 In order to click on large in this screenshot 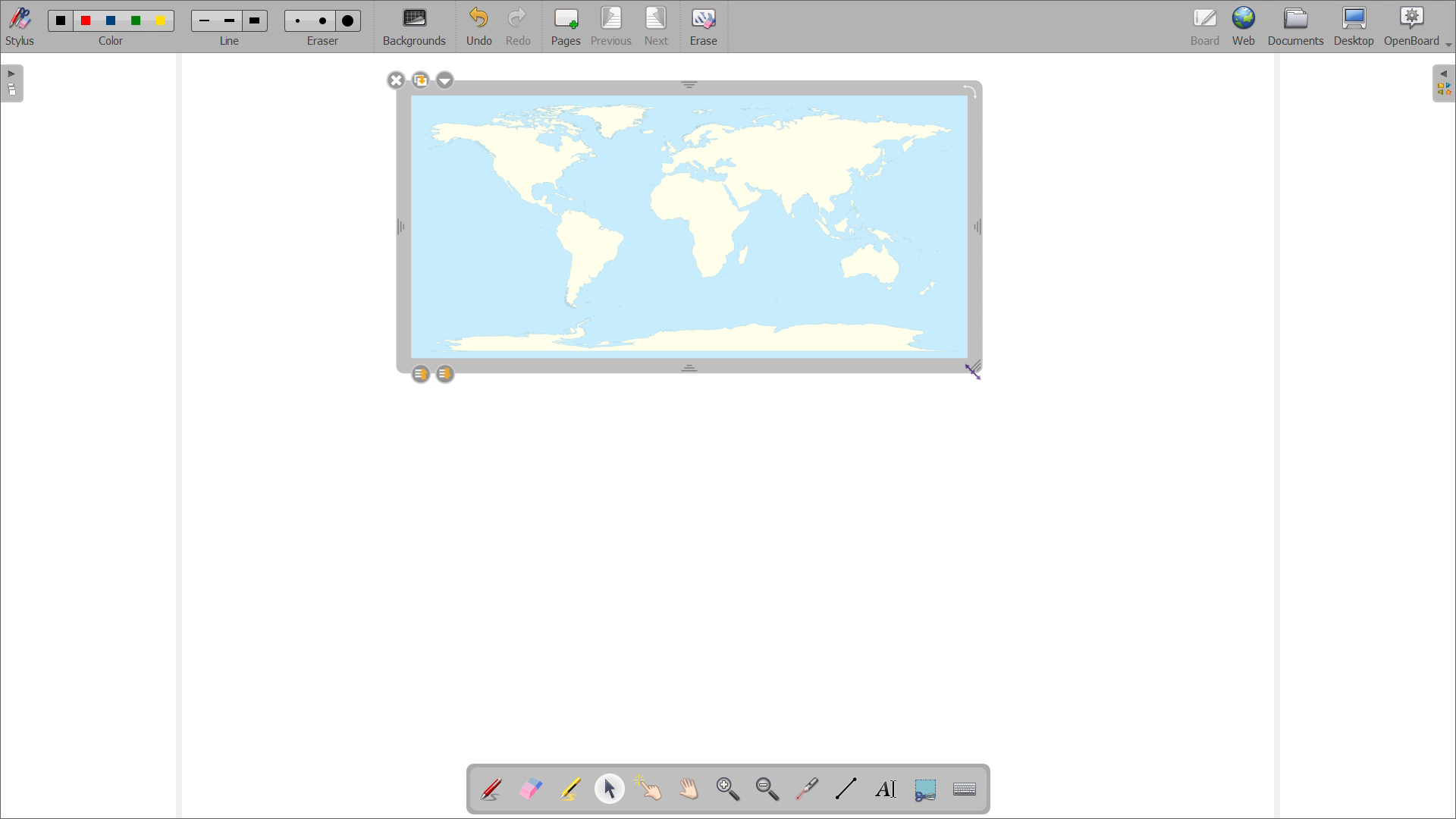, I will do `click(349, 20)`.